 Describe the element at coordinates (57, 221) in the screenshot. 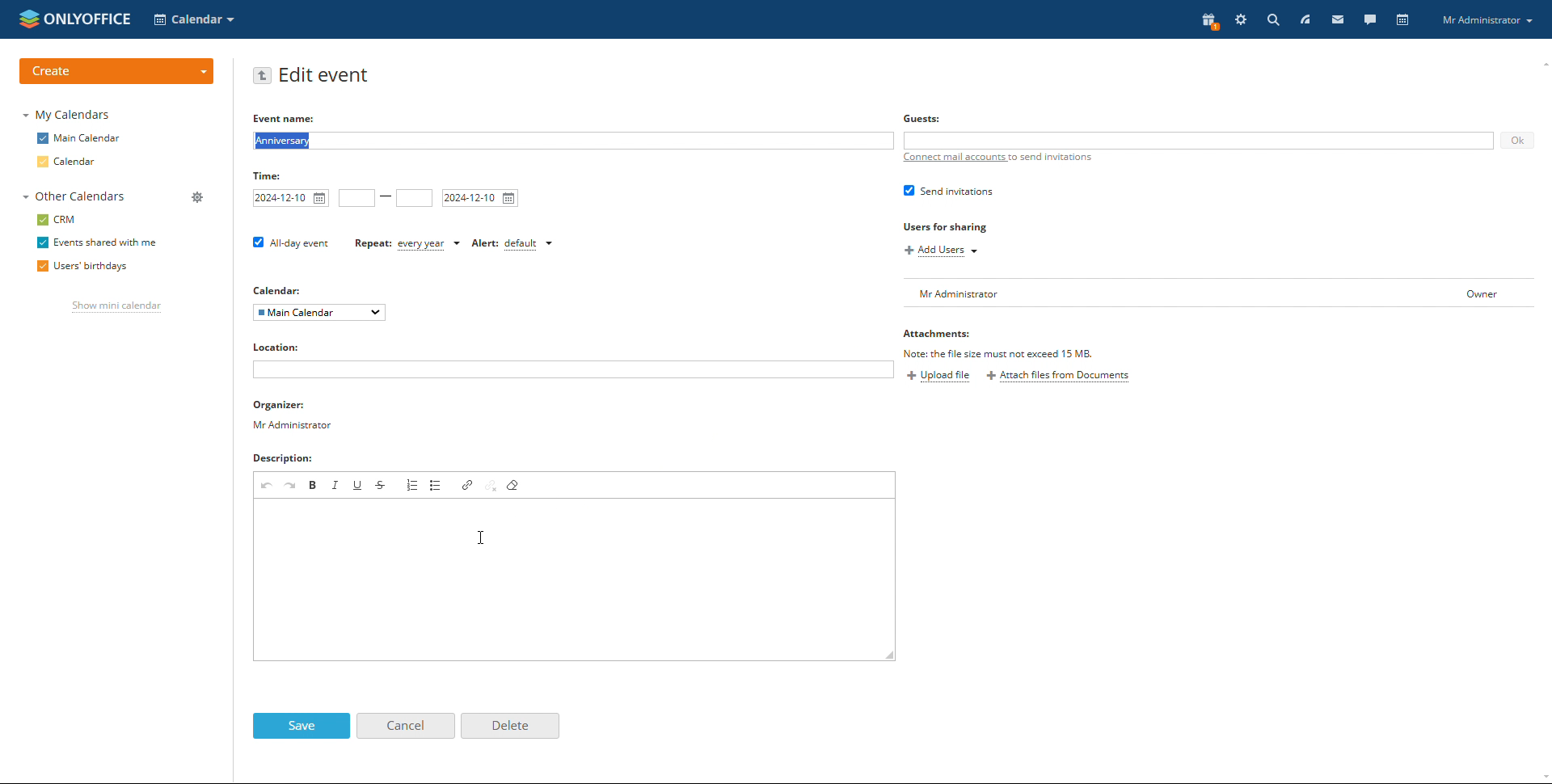

I see `crm` at that location.